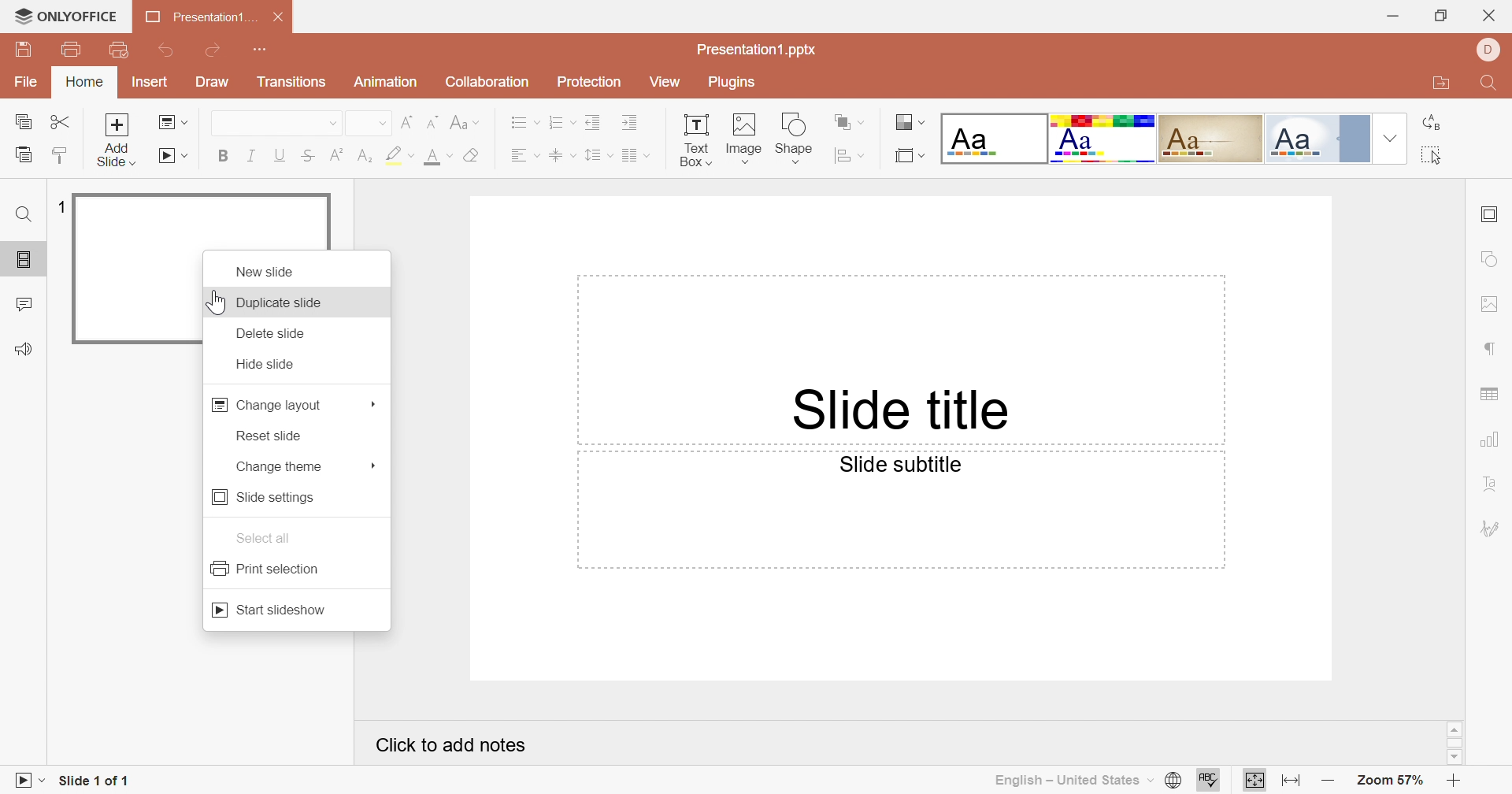  What do you see at coordinates (561, 121) in the screenshot?
I see `Numbering` at bounding box center [561, 121].